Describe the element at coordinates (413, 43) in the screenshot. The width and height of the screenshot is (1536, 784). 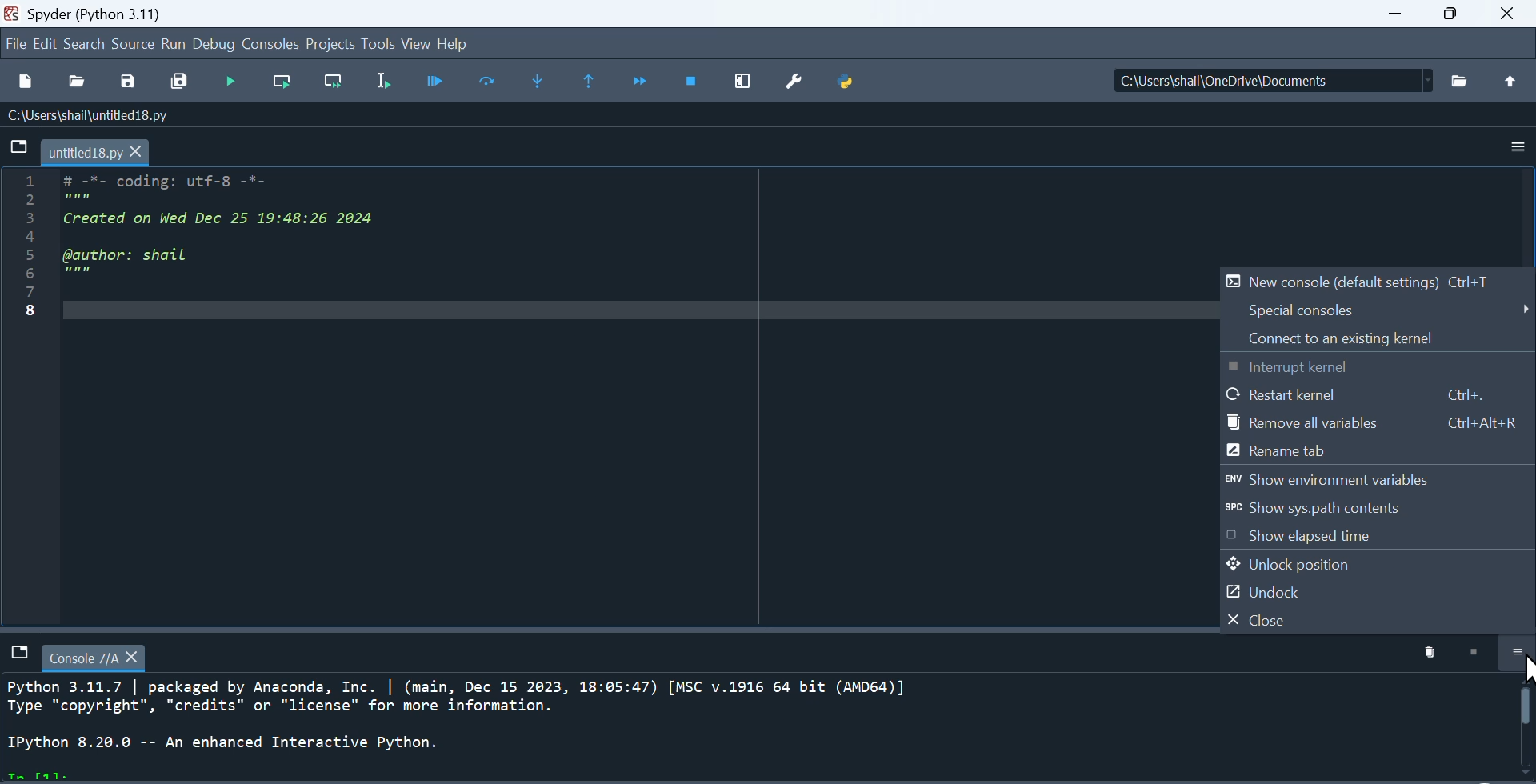
I see `view` at that location.